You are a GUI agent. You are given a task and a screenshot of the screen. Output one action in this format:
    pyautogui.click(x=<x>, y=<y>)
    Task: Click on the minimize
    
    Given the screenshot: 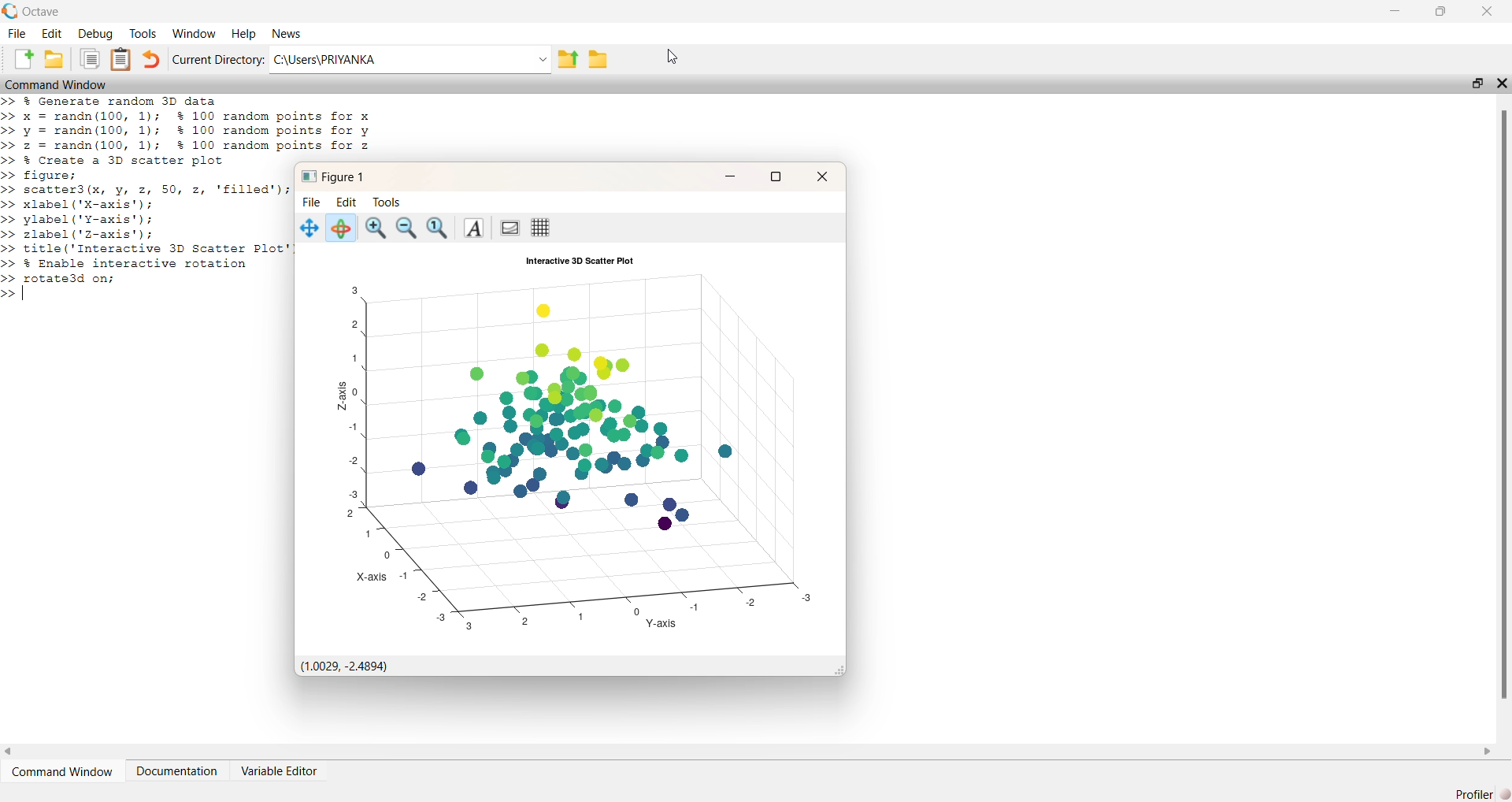 What is the action you would take?
    pyautogui.click(x=729, y=176)
    